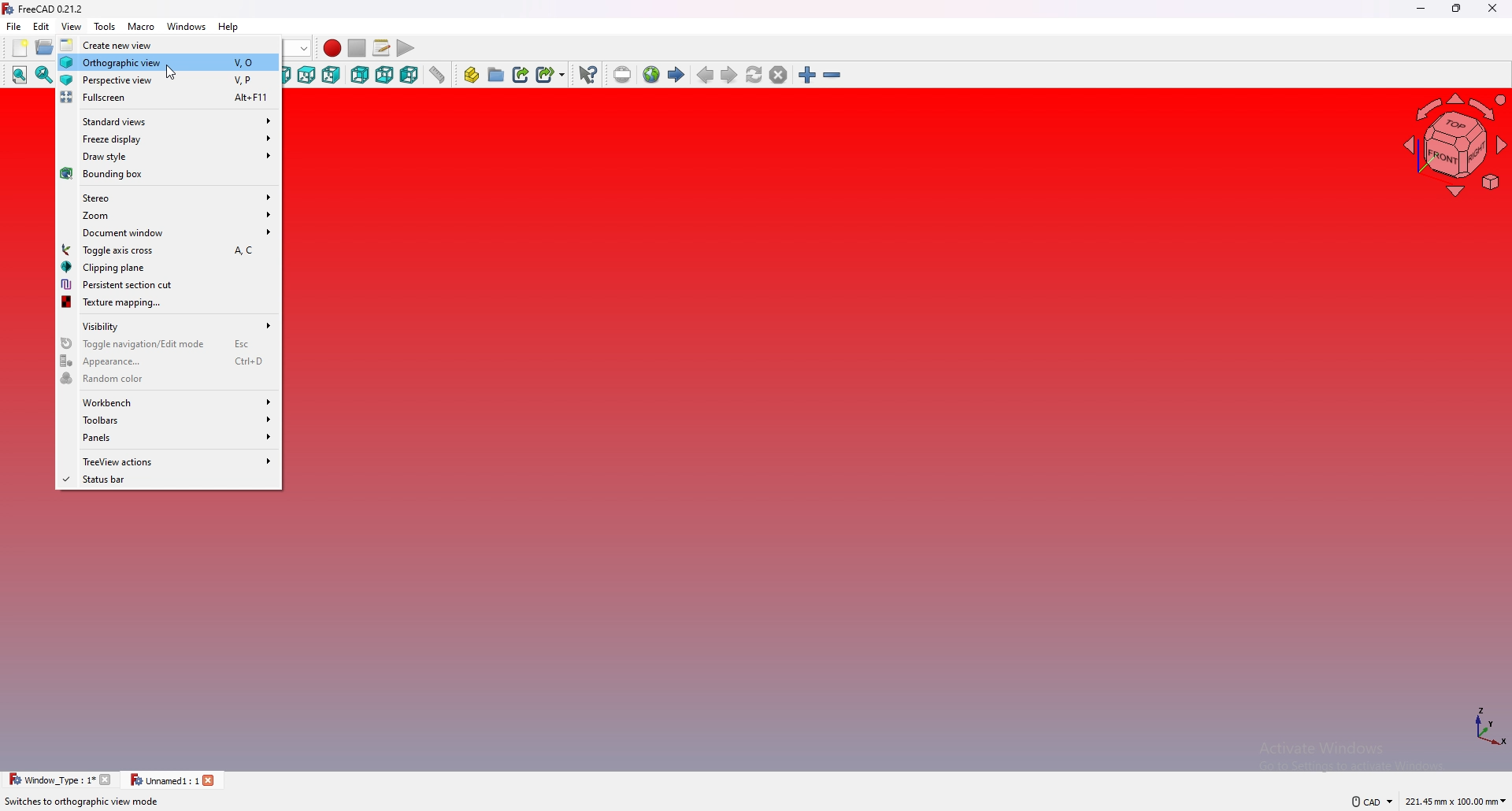  I want to click on status bar, so click(169, 480).